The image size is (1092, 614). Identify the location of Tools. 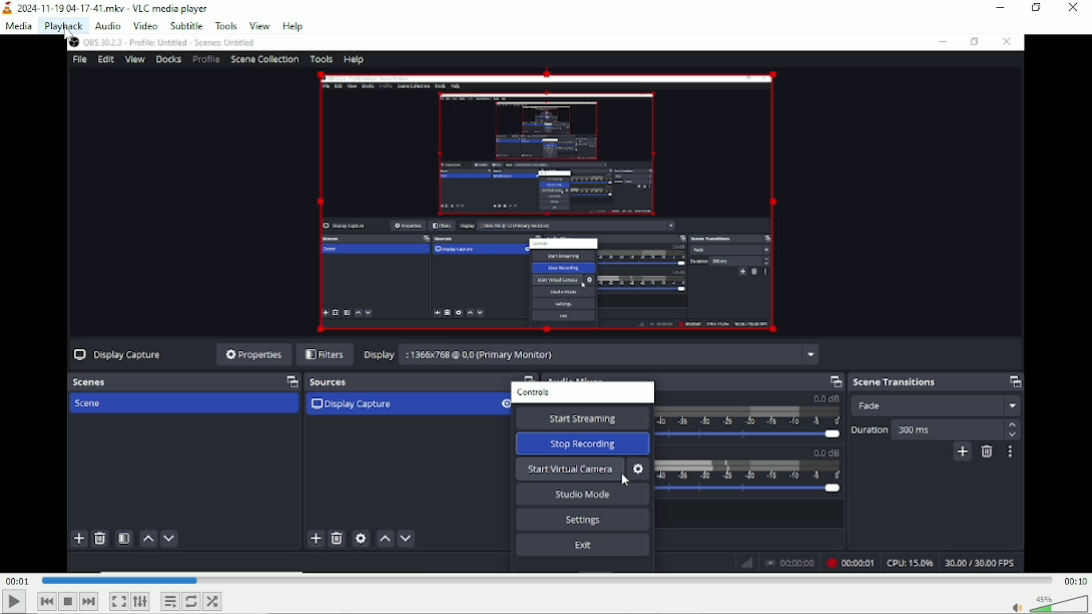
(227, 26).